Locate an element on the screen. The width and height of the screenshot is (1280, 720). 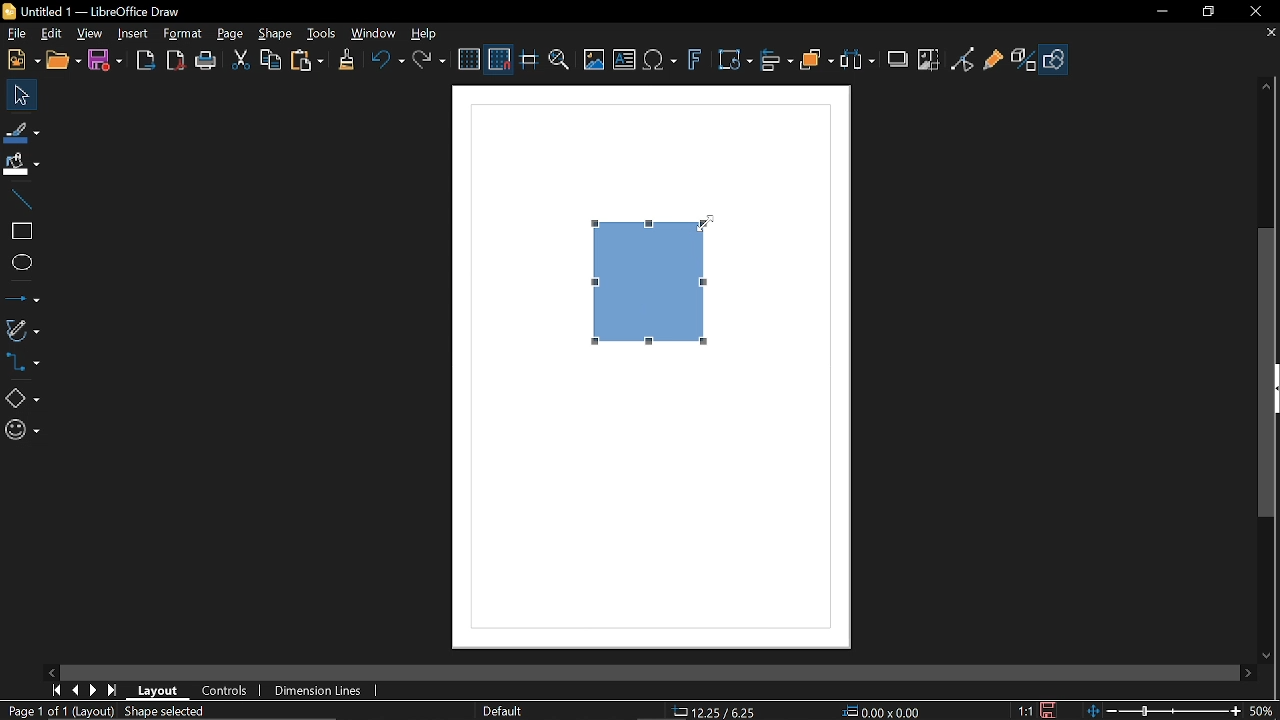
Print is located at coordinates (206, 61).